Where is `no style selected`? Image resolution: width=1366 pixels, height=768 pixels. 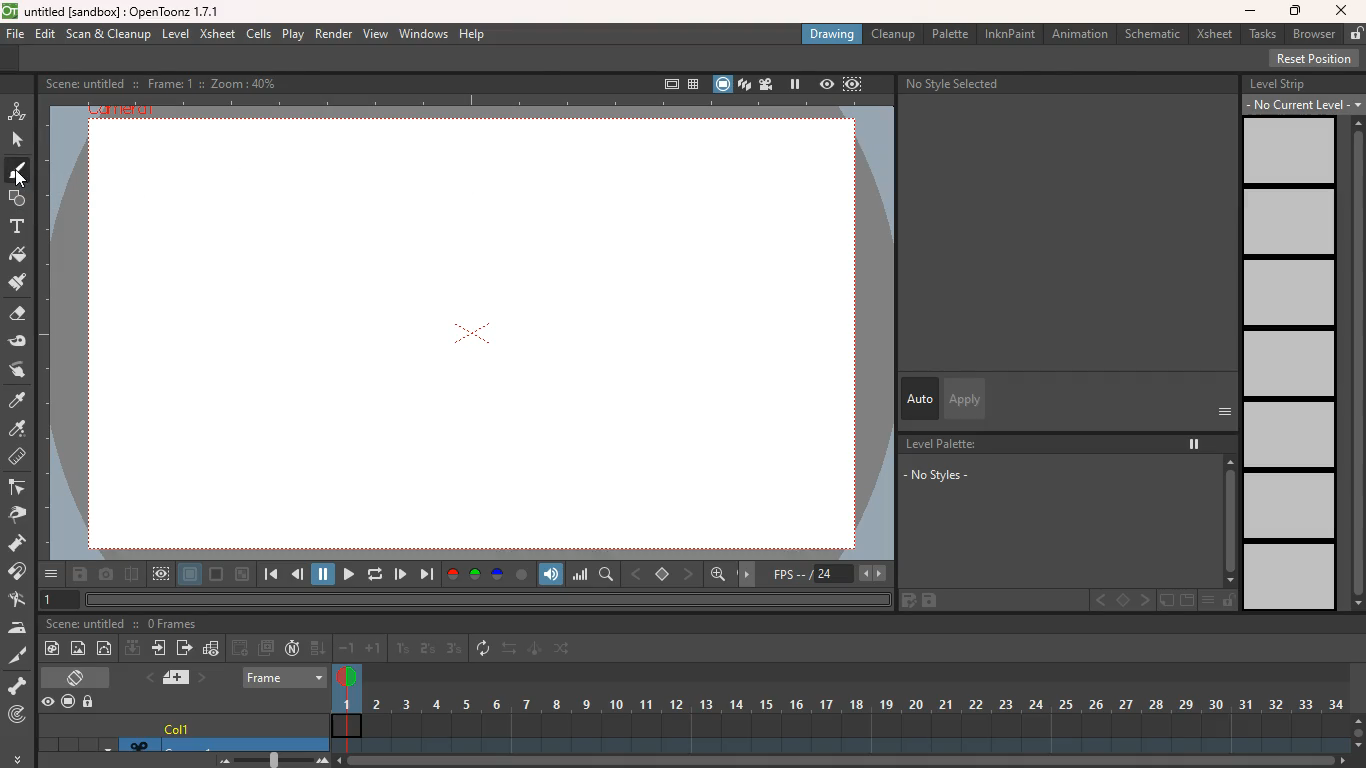 no style selected is located at coordinates (957, 83).